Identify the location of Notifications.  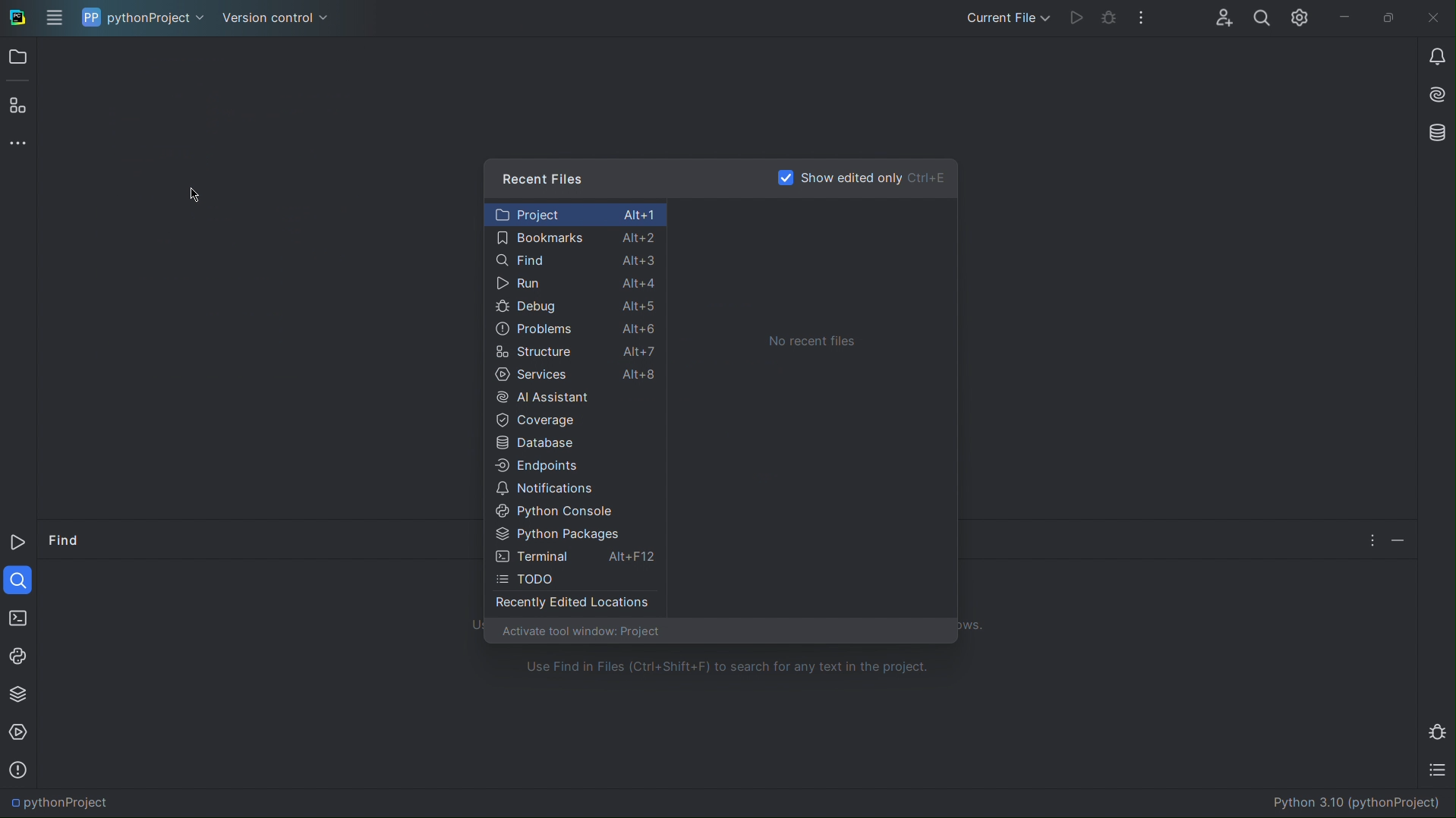
(1435, 55).